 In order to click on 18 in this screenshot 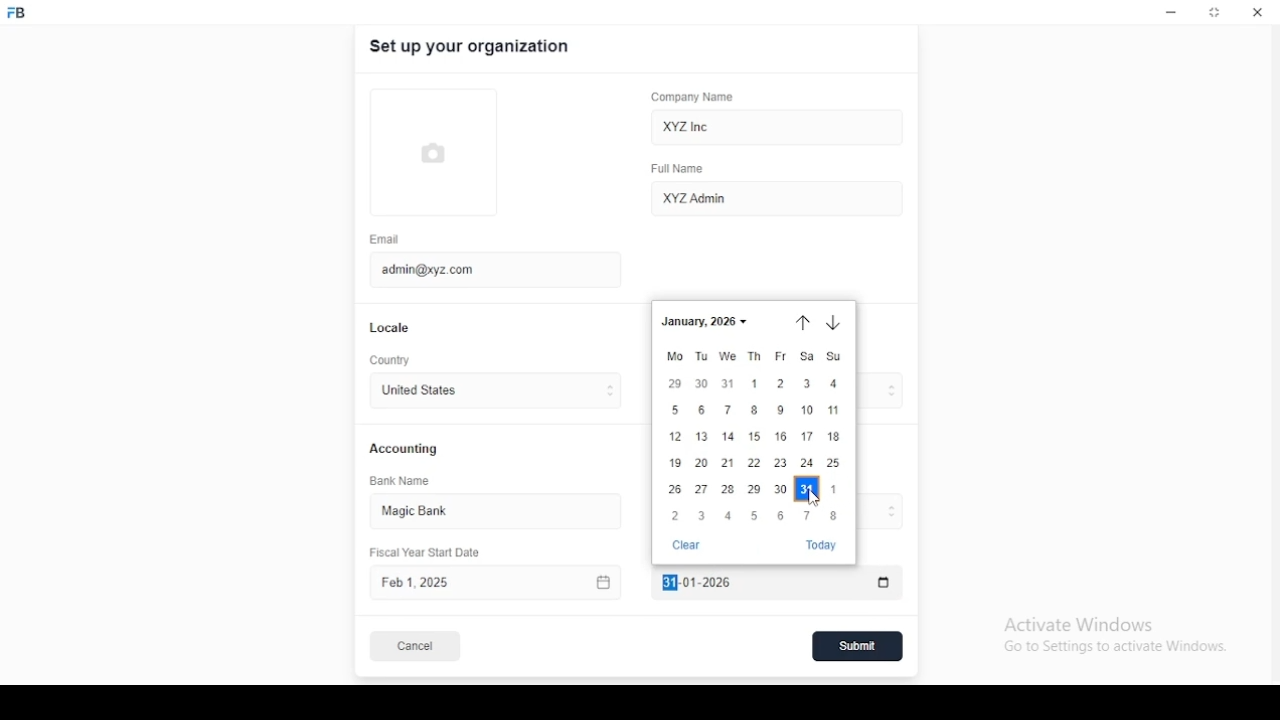, I will do `click(833, 438)`.